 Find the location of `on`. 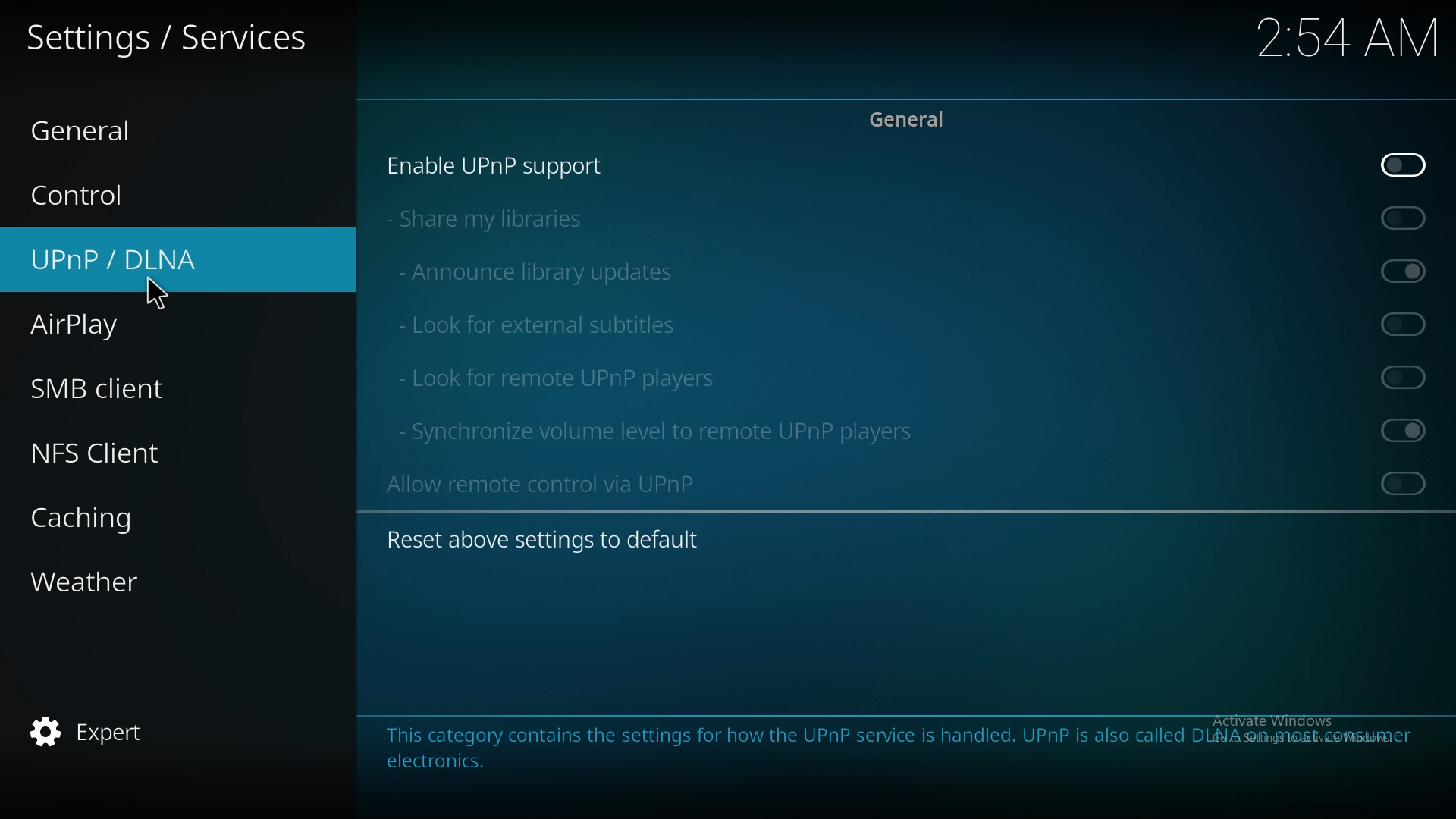

on is located at coordinates (1403, 429).